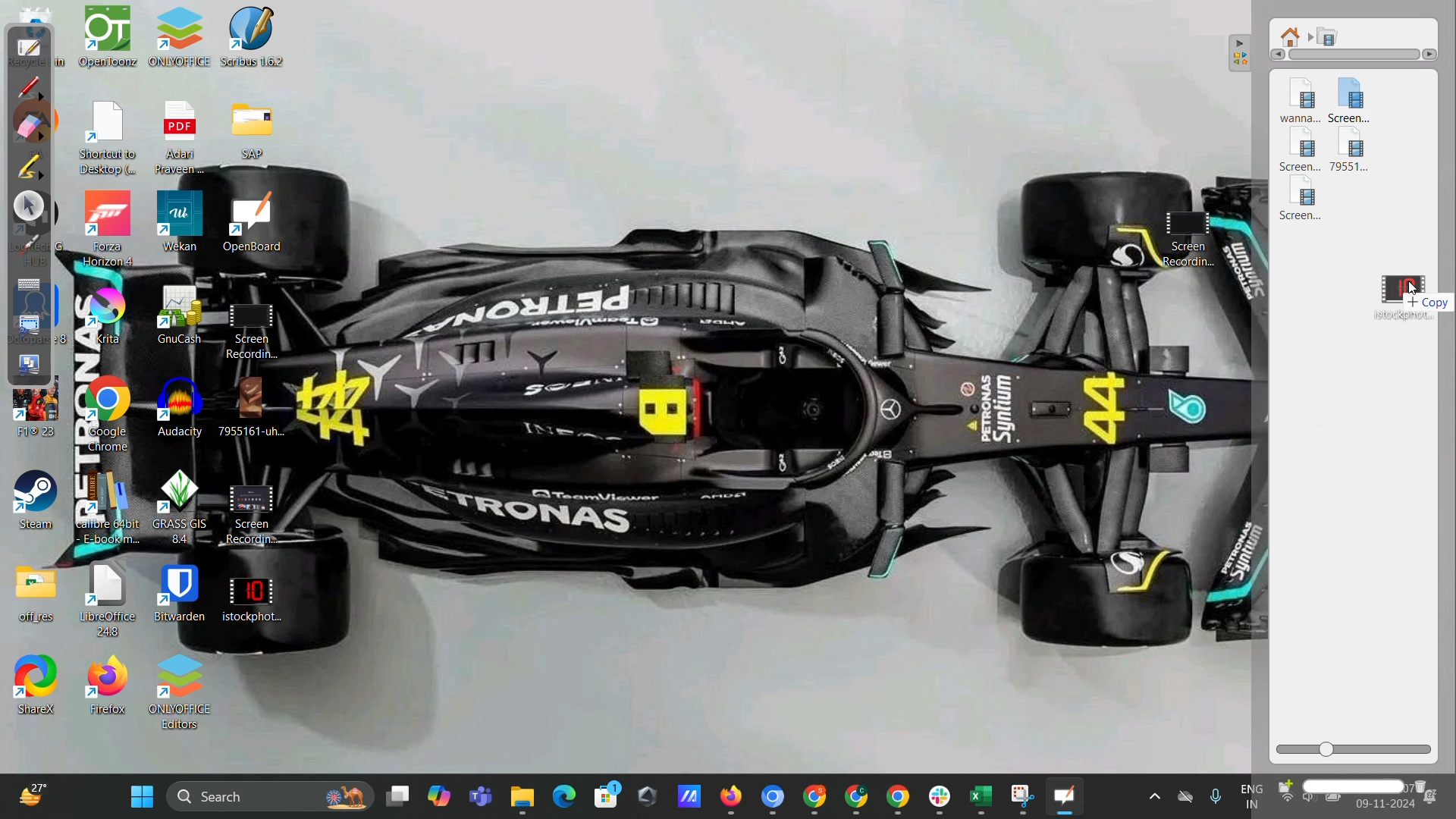 This screenshot has width=1456, height=819. Describe the element at coordinates (114, 604) in the screenshot. I see `LibreOffice 44.8` at that location.